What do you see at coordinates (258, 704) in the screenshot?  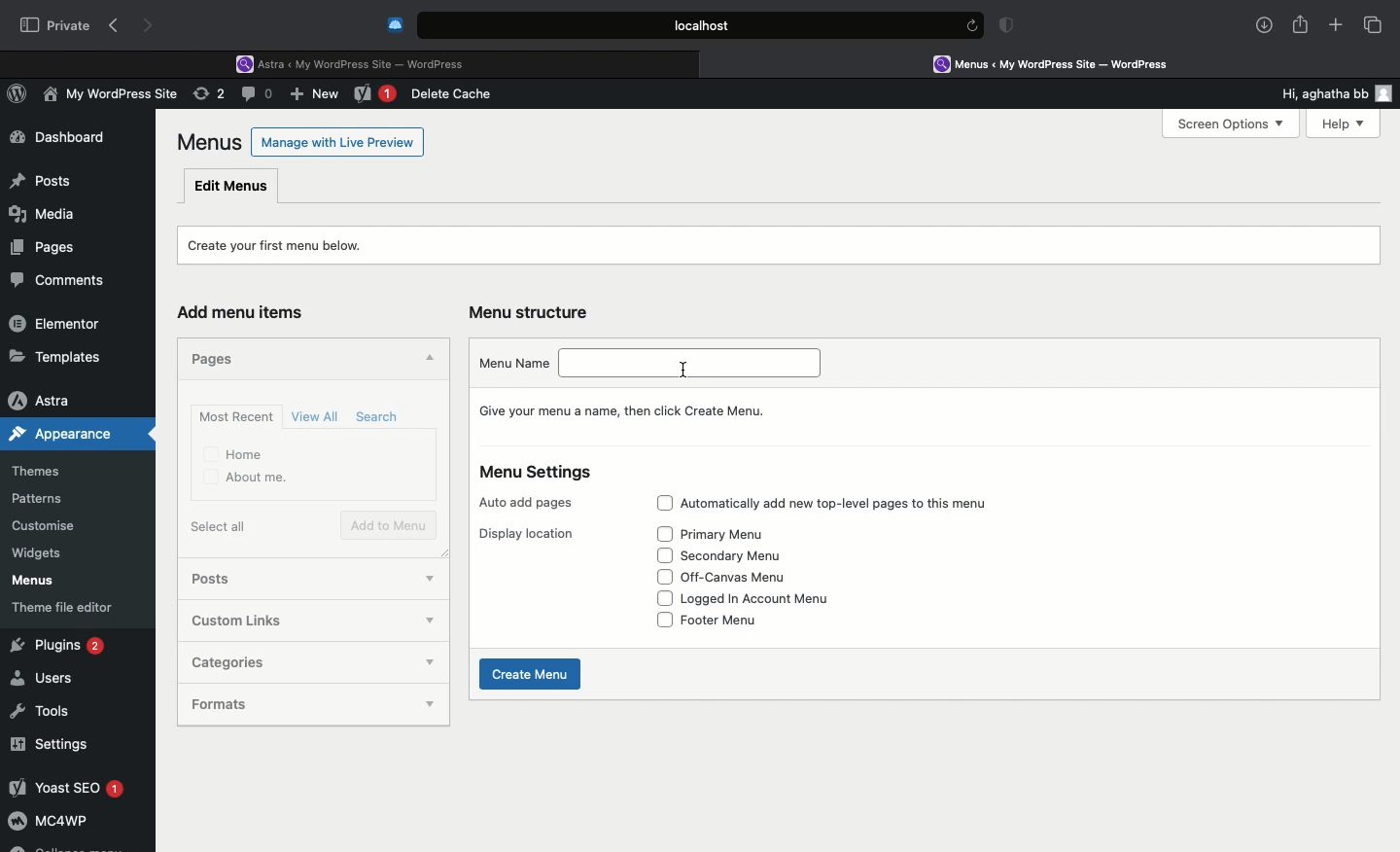 I see `Formats` at bounding box center [258, 704].